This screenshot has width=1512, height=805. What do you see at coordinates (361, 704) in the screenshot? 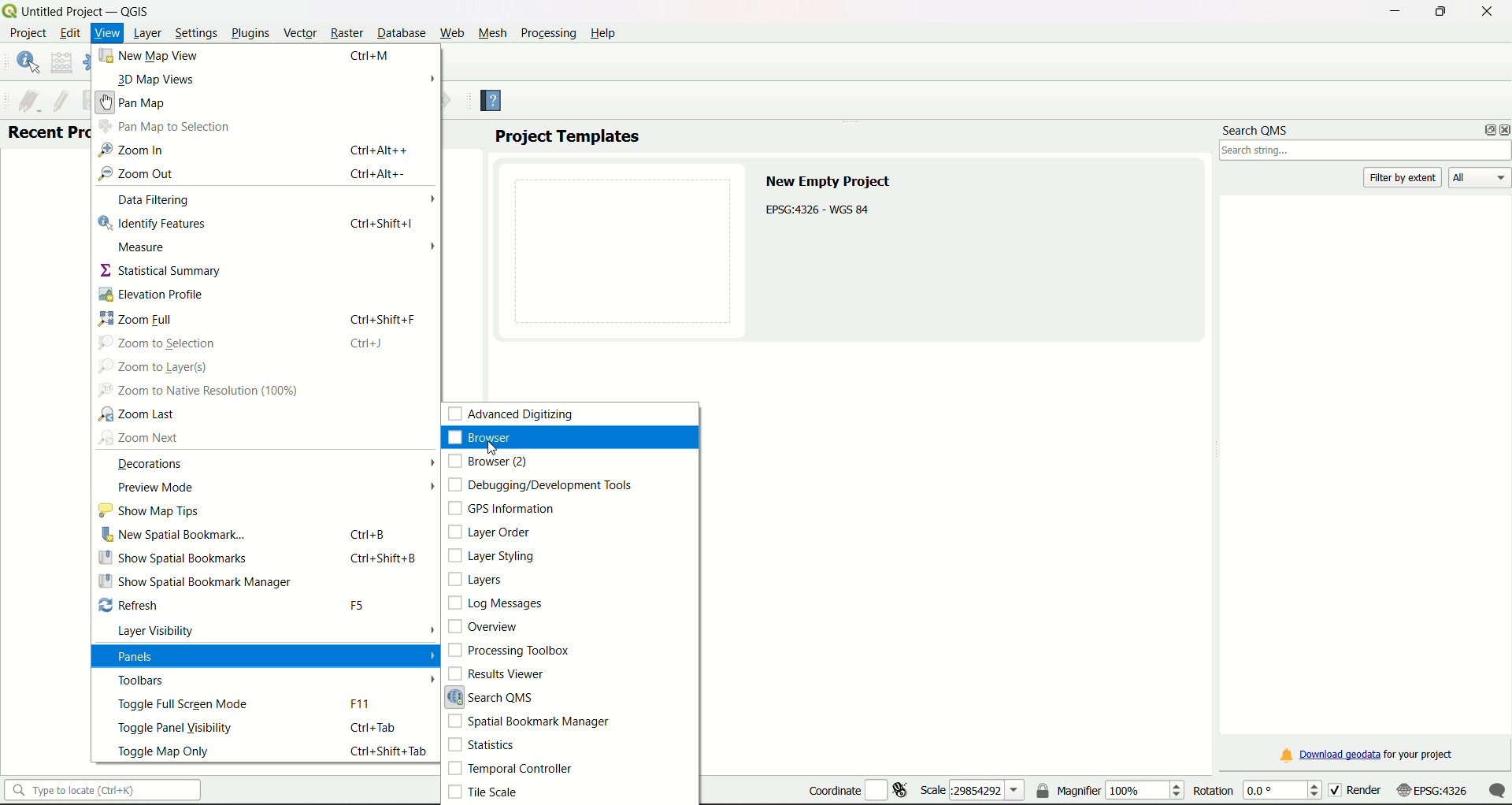
I see `F11` at bounding box center [361, 704].